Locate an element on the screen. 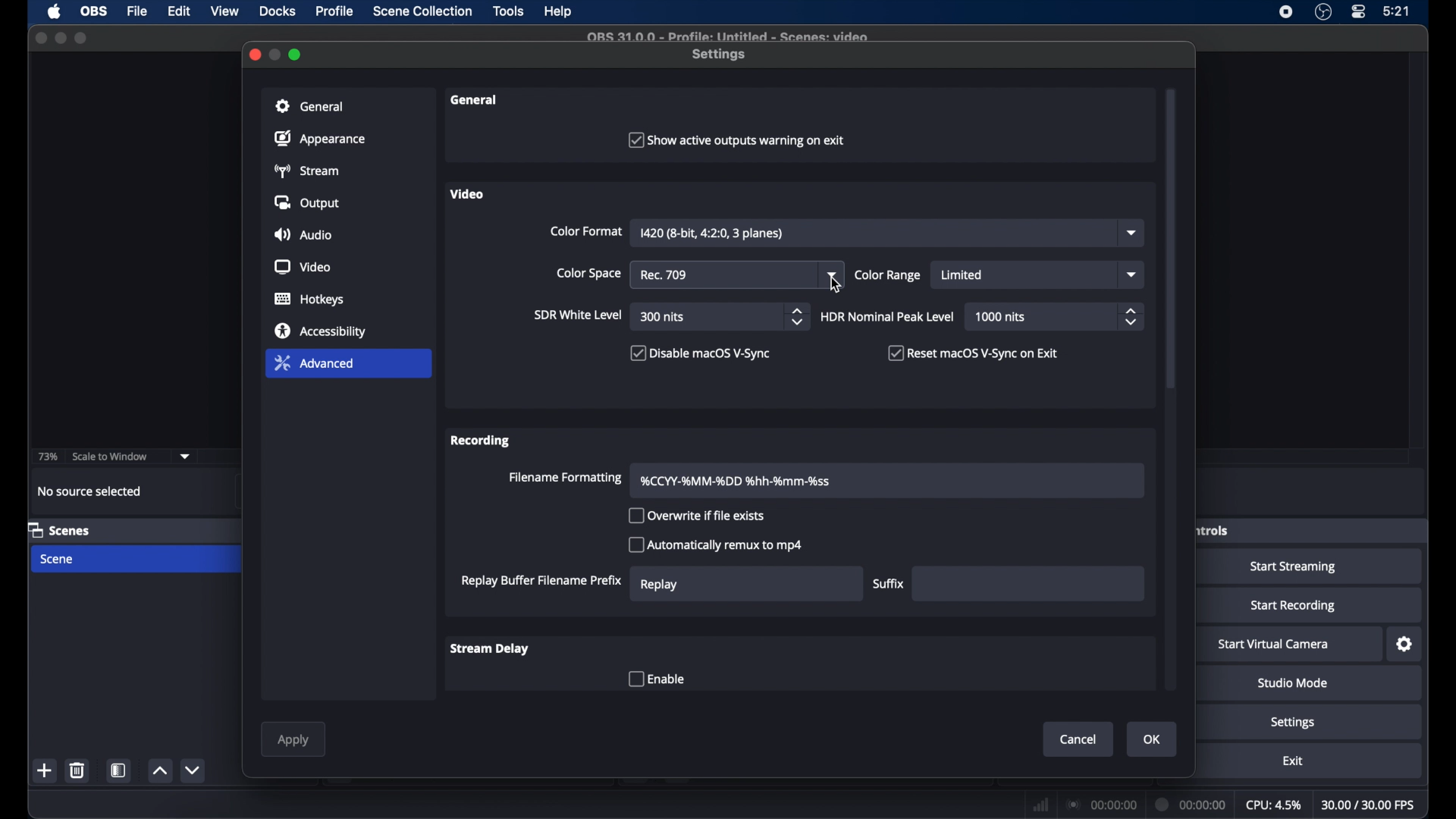 This screenshot has height=819, width=1456. maximize is located at coordinates (81, 37).